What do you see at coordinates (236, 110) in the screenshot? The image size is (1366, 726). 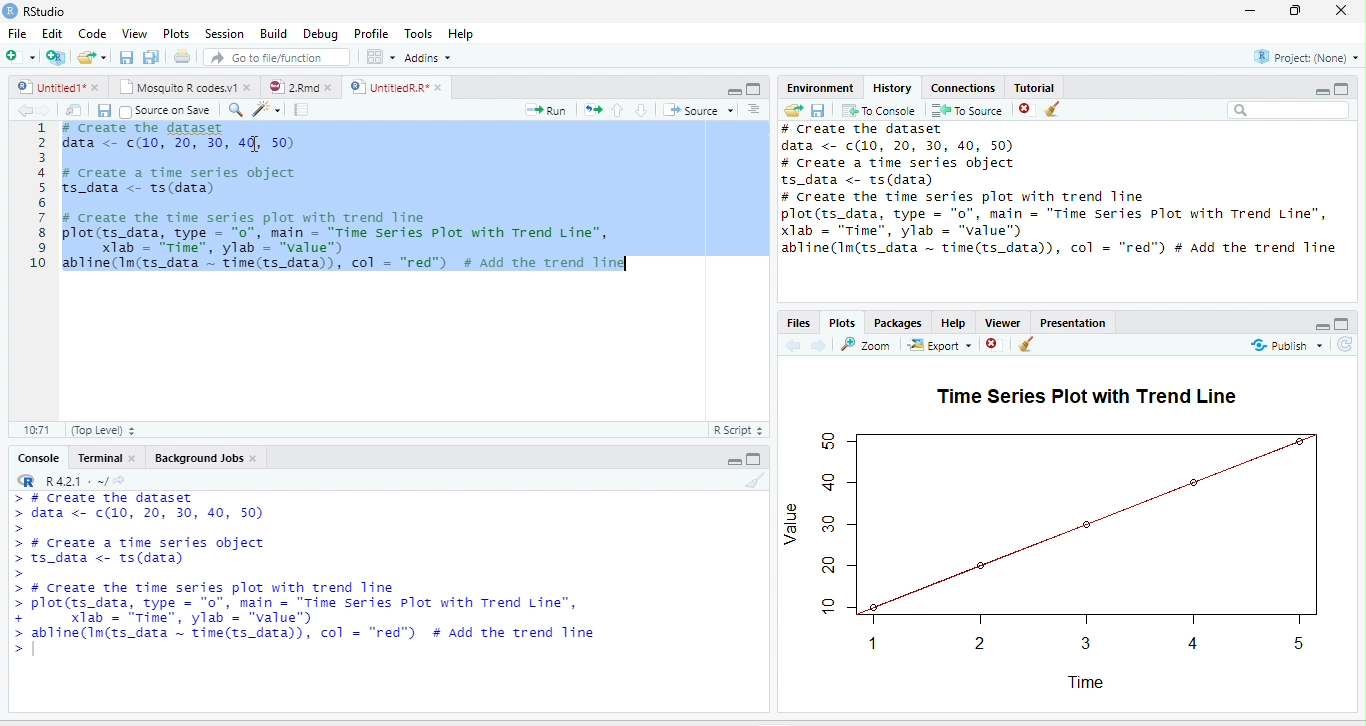 I see `Find/Replace` at bounding box center [236, 110].